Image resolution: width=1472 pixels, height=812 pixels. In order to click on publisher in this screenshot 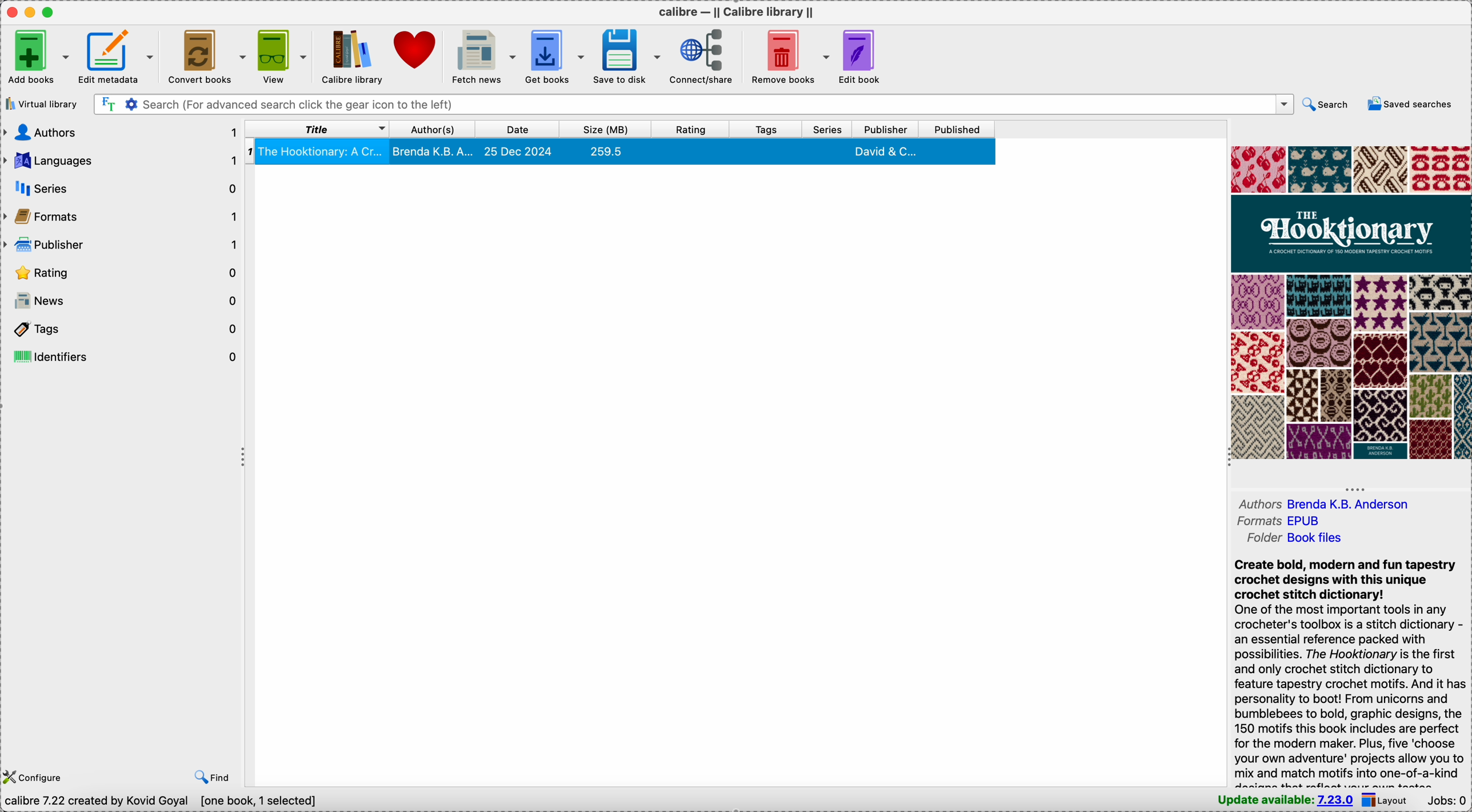, I will do `click(888, 128)`.